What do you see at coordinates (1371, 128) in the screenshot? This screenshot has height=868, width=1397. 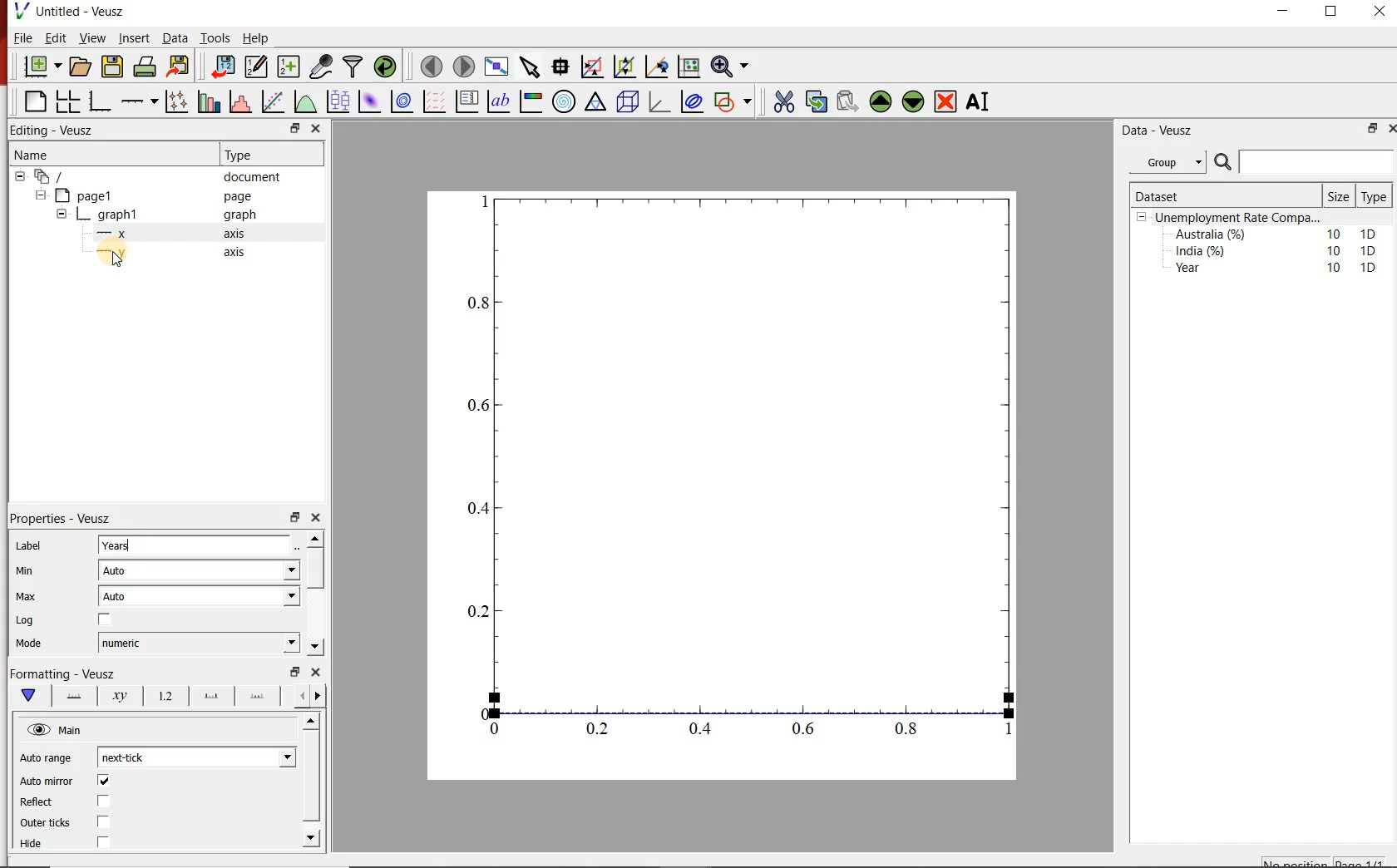 I see `minimise` at bounding box center [1371, 128].